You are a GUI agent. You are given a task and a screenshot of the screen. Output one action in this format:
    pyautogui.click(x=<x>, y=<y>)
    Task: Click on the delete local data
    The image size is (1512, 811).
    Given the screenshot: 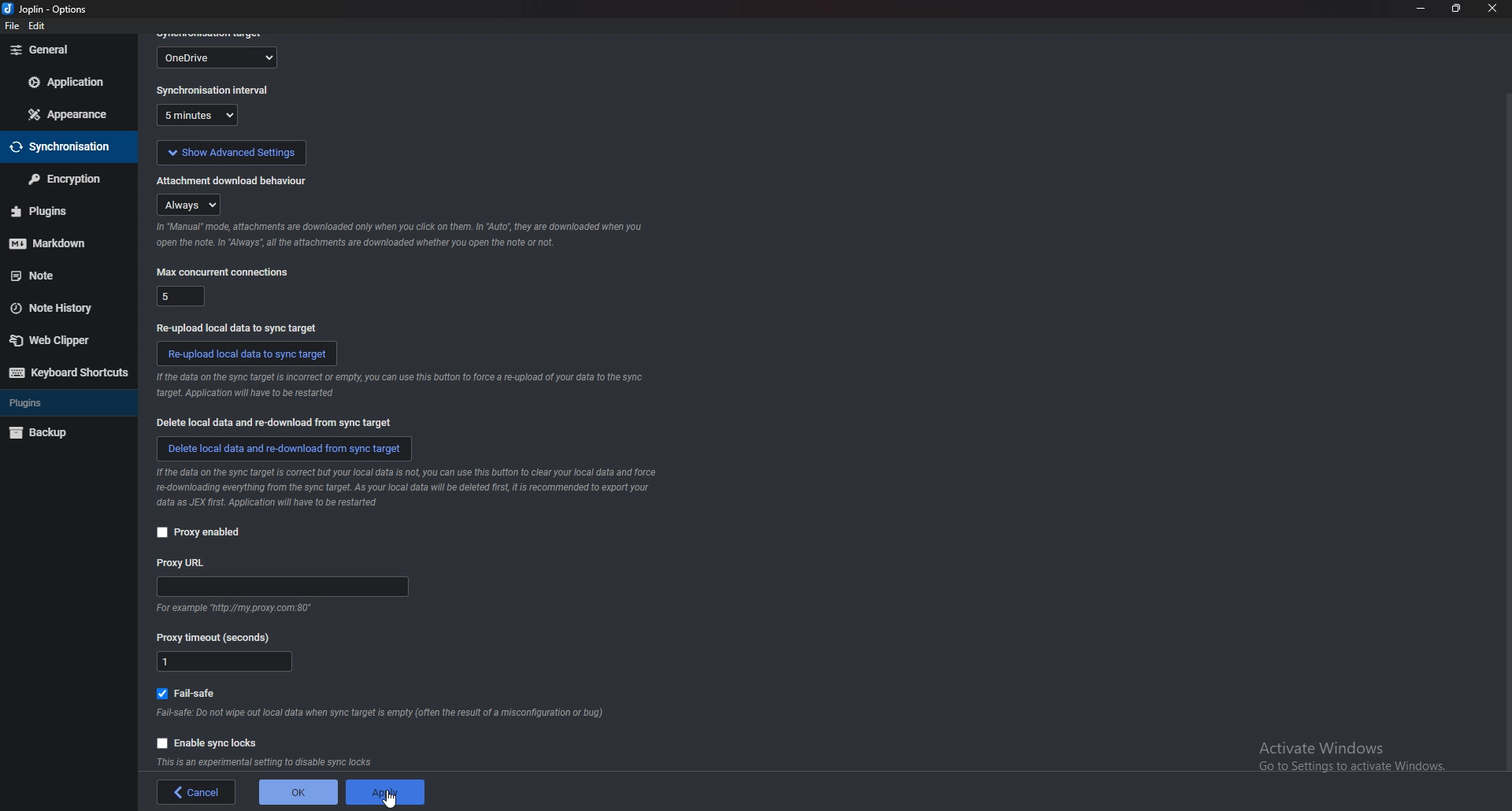 What is the action you would take?
    pyautogui.click(x=284, y=447)
    